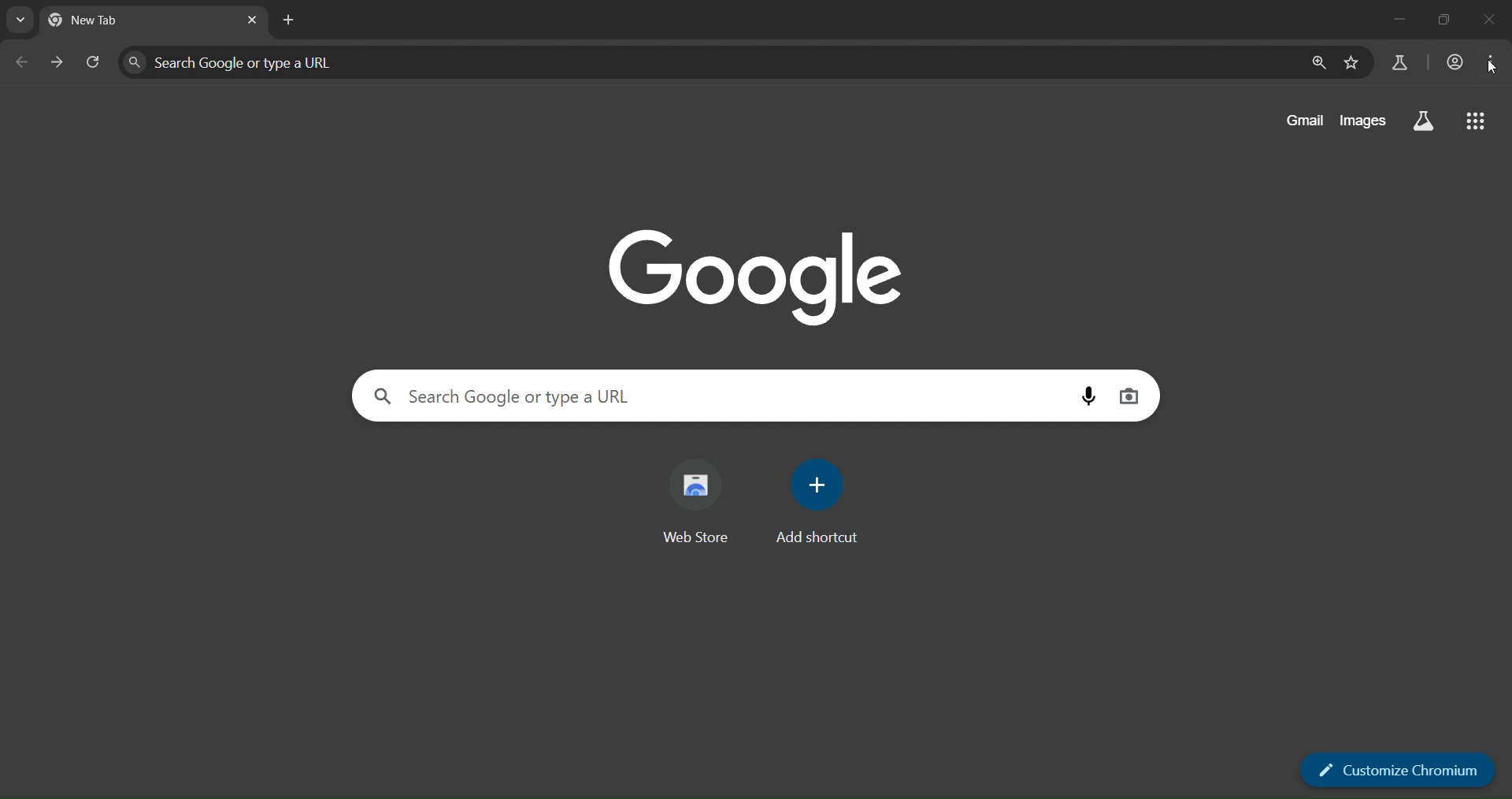  I want to click on images, so click(1362, 123).